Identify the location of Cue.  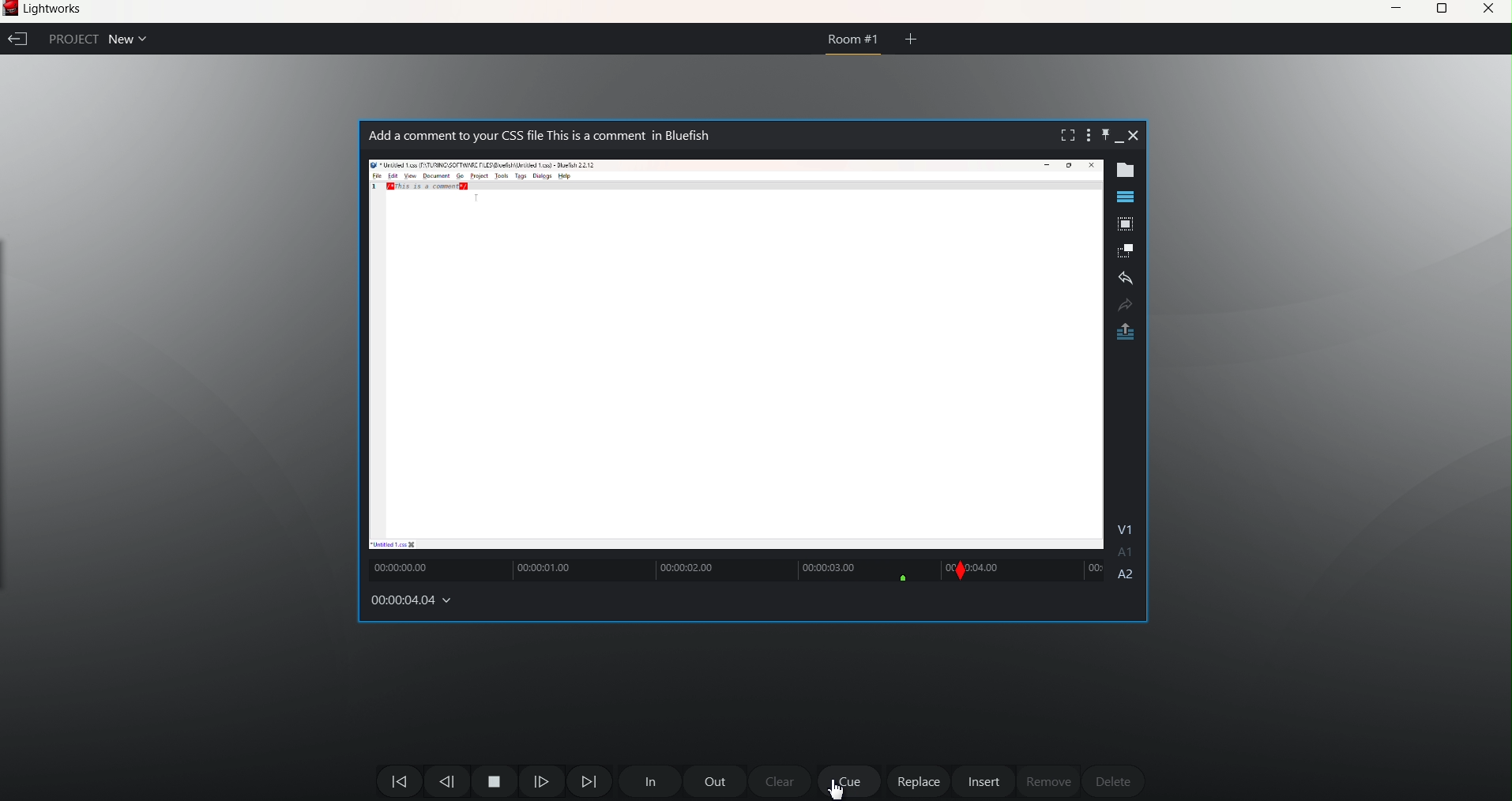
(849, 781).